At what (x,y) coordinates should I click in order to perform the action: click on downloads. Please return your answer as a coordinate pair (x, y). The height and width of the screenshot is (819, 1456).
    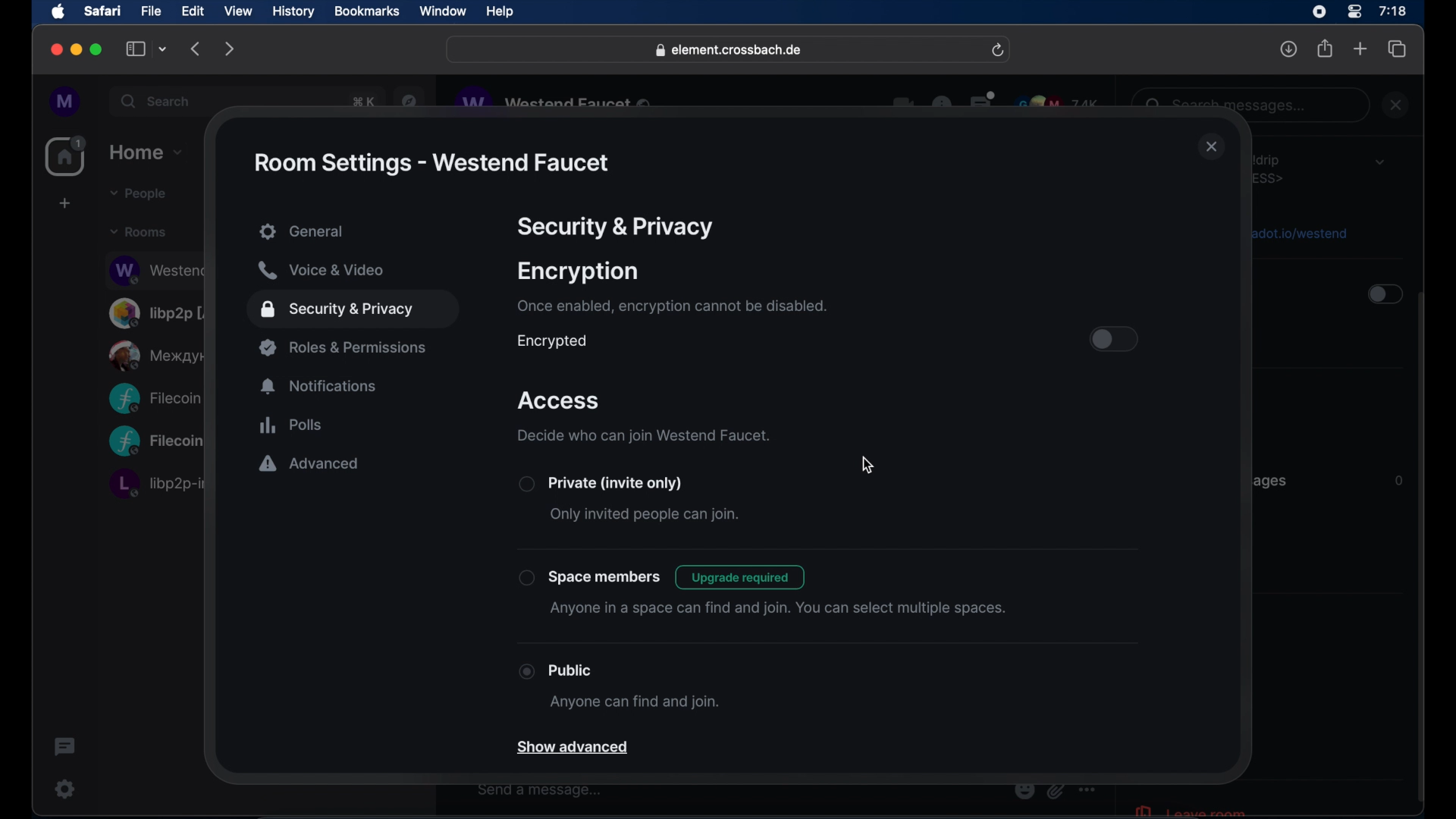
    Looking at the image, I should click on (1289, 49).